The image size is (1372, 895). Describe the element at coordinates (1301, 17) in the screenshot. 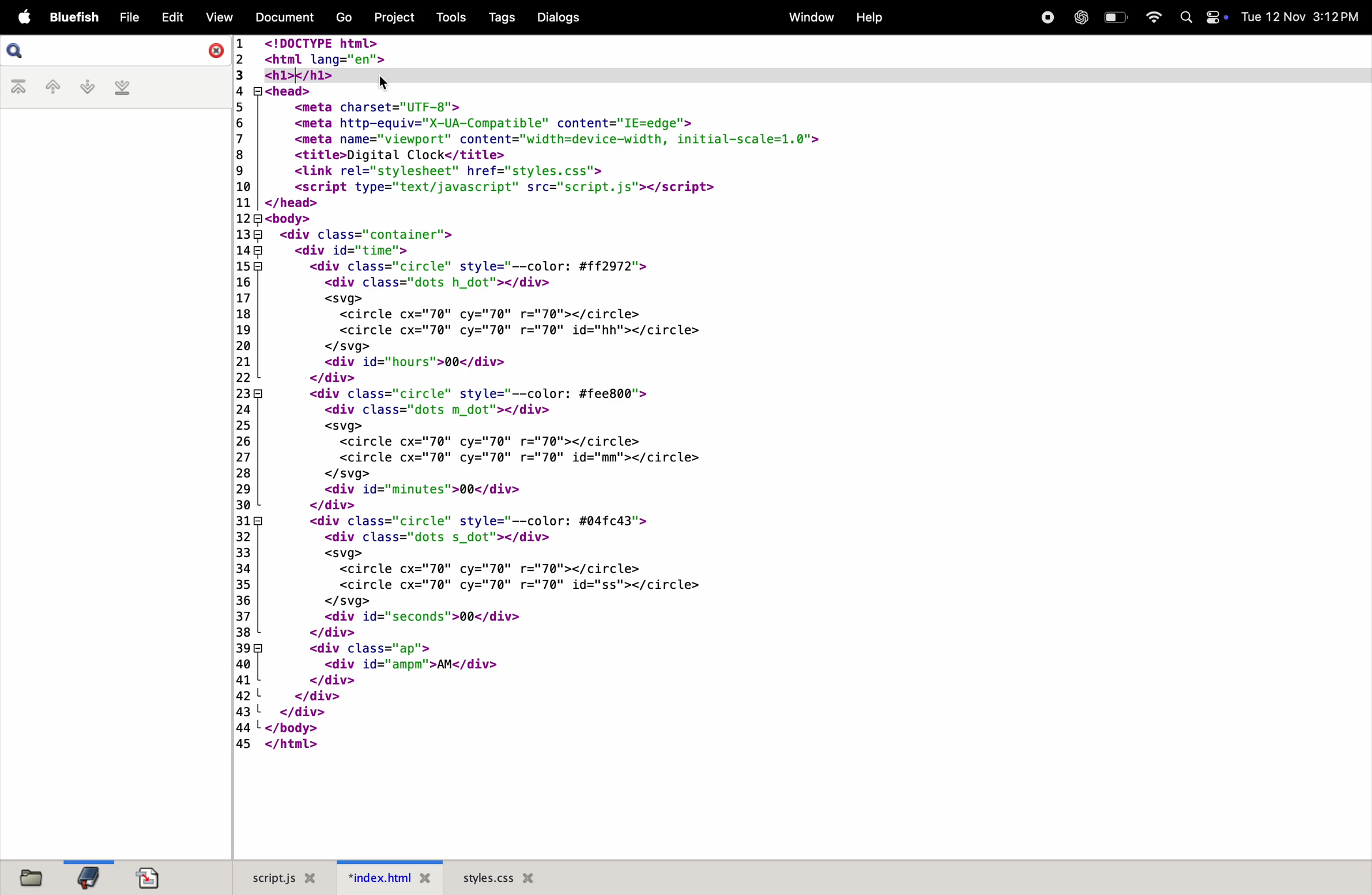

I see `tue 12 nov 3:12 pm` at that location.